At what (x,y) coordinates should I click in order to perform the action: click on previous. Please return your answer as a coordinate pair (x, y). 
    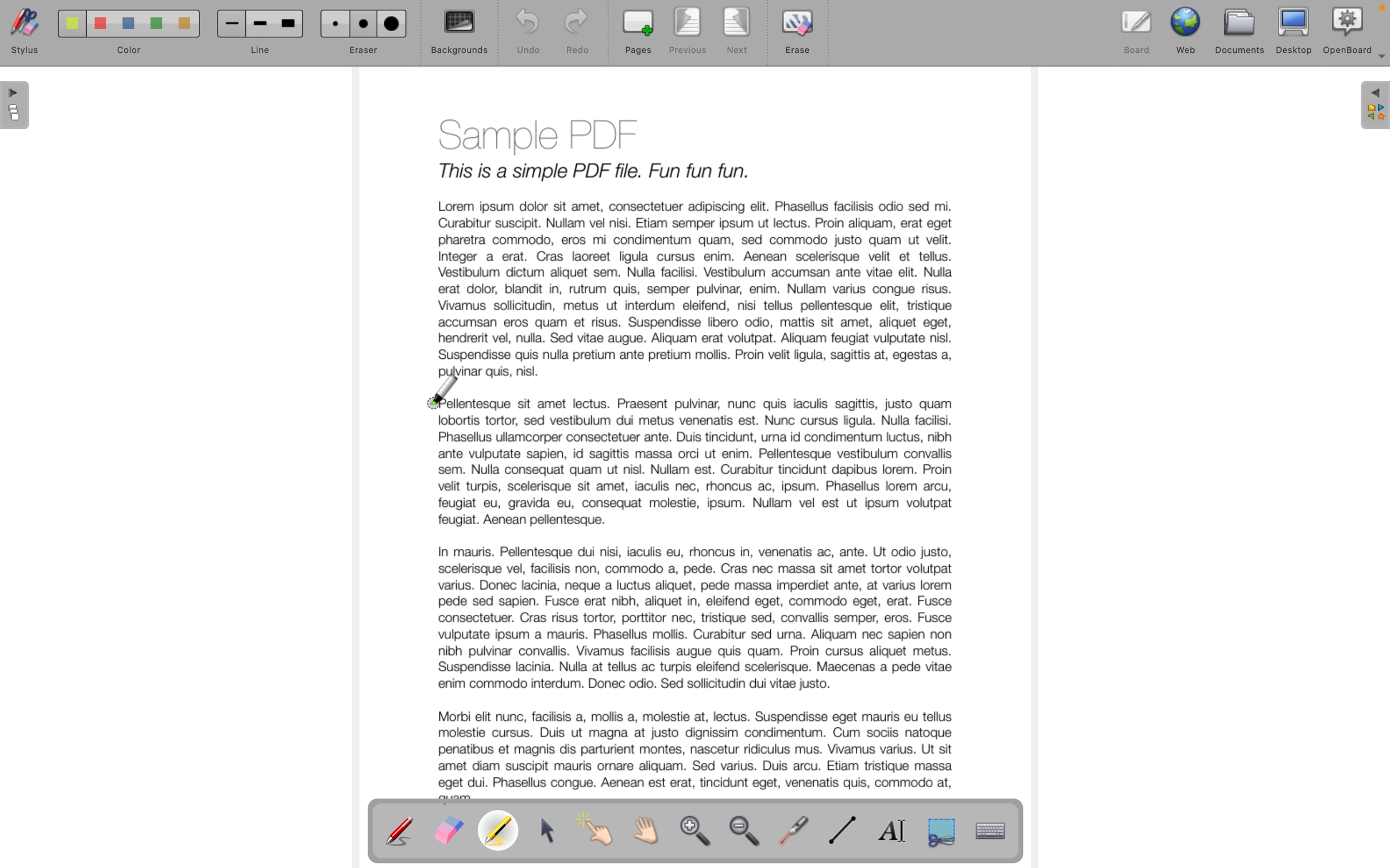
    Looking at the image, I should click on (693, 32).